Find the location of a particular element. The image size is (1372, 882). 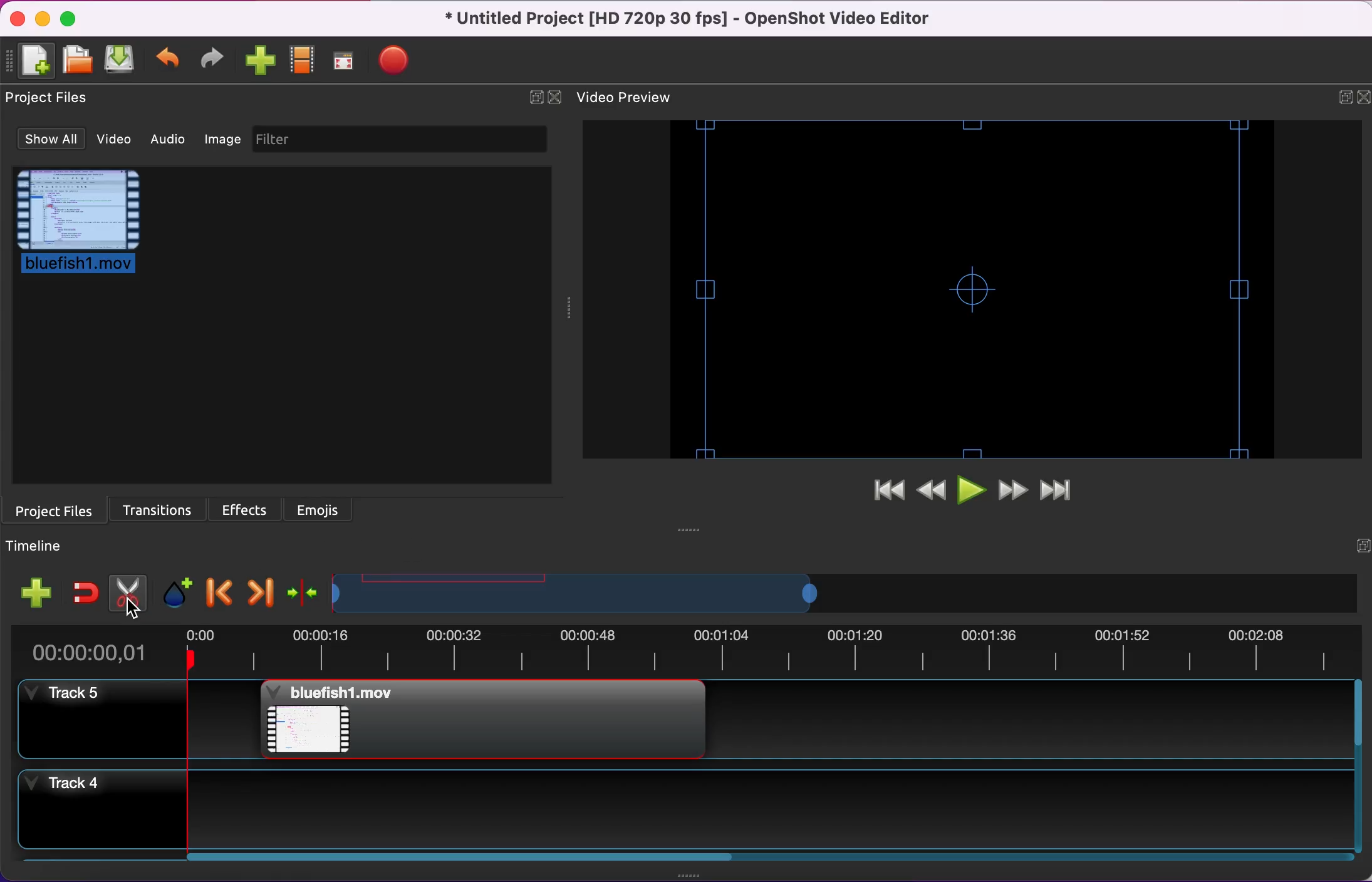

choose profile is located at coordinates (303, 58).